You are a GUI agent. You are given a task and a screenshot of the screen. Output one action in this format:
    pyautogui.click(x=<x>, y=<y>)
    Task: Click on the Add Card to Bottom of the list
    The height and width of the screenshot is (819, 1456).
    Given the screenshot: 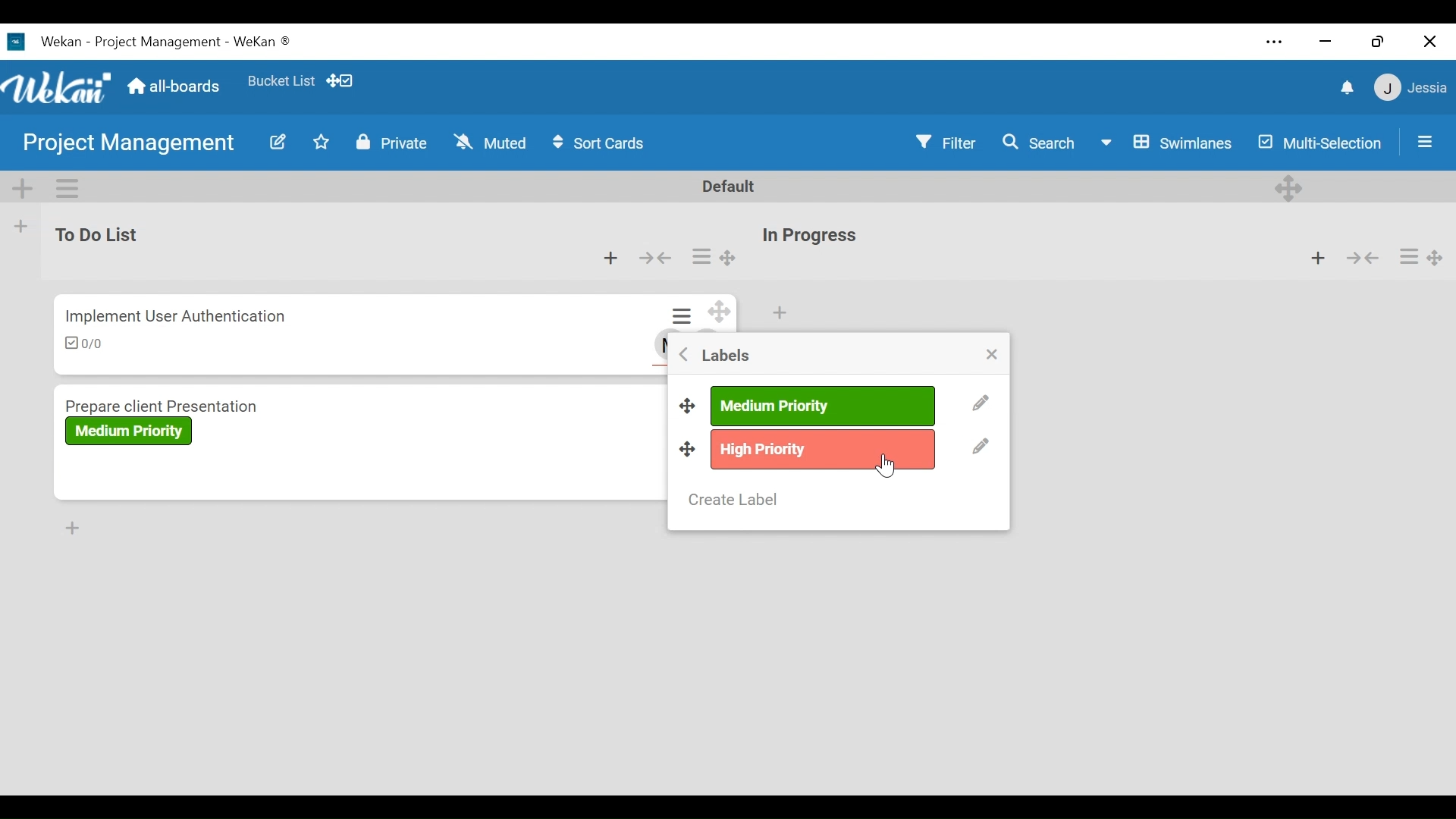 What is the action you would take?
    pyautogui.click(x=74, y=529)
    